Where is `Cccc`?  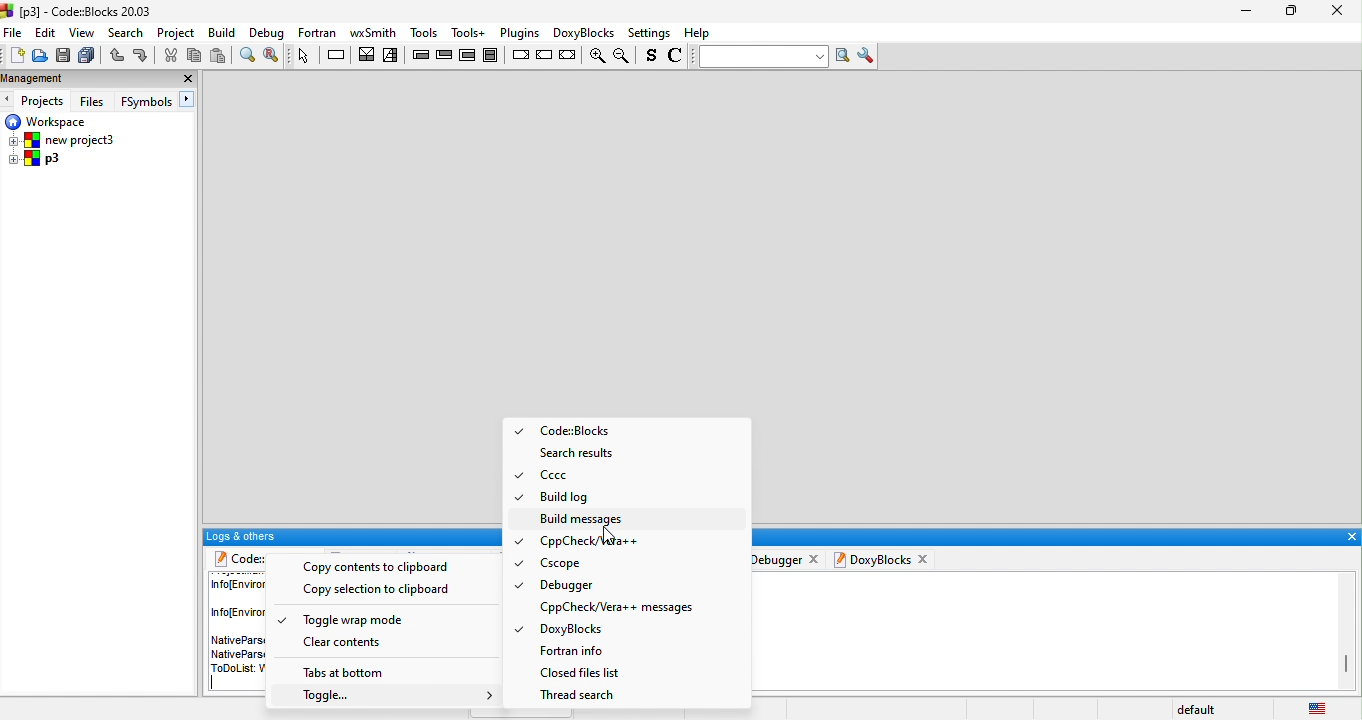
Cccc is located at coordinates (576, 476).